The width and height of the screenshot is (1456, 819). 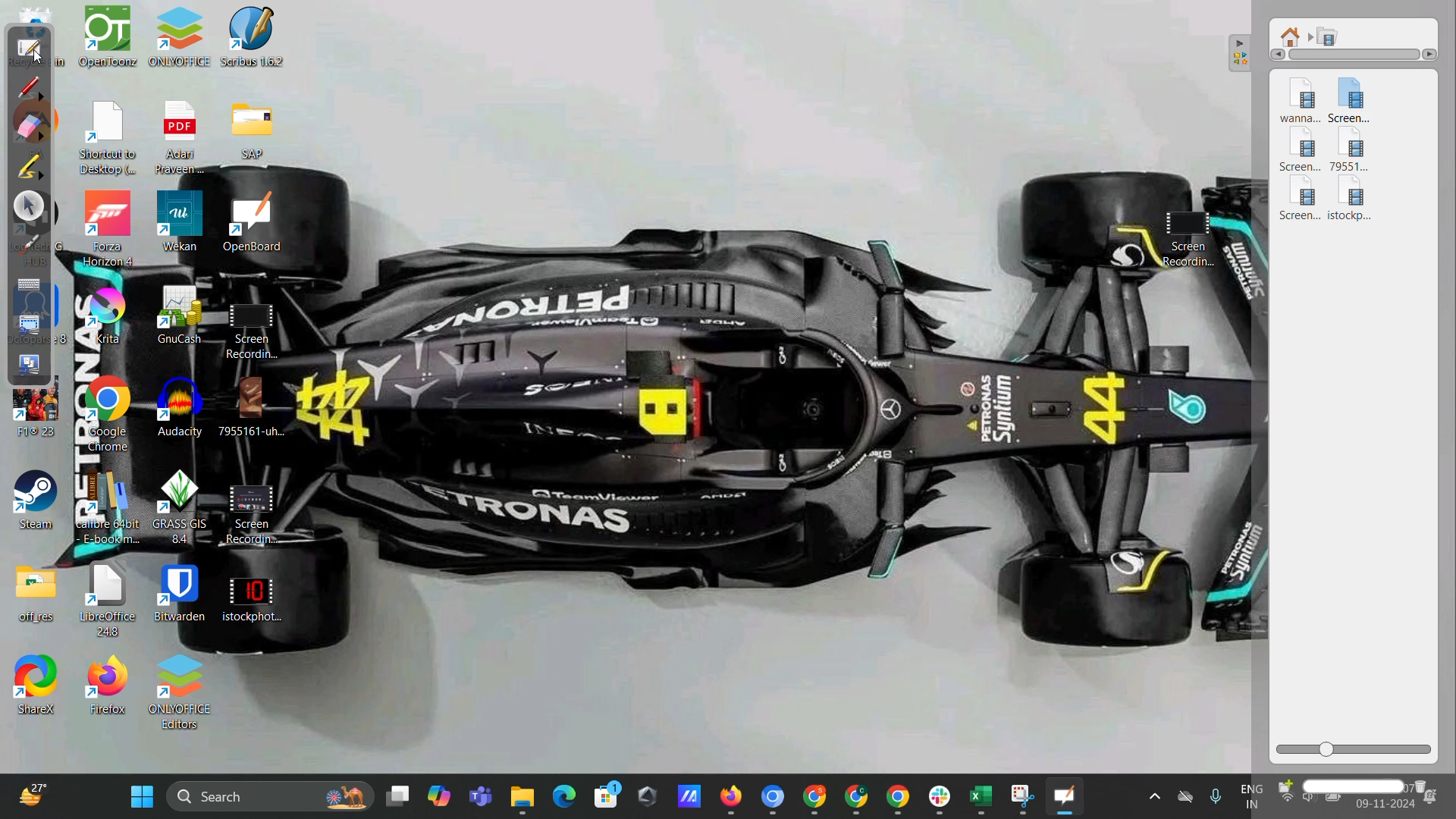 I want to click on shortcut on desktop taskbar, so click(x=689, y=798).